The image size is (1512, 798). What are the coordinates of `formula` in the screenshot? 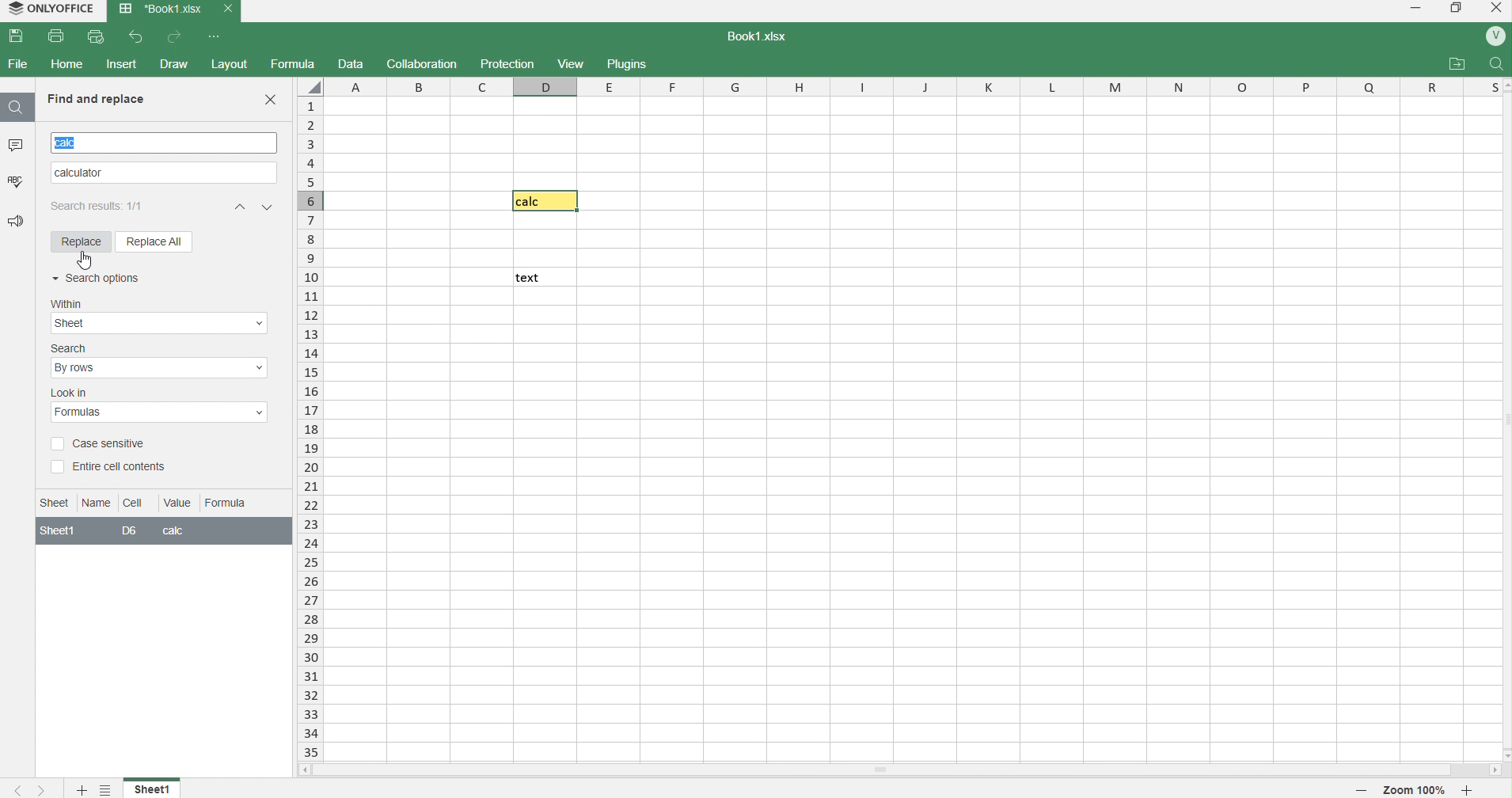 It's located at (295, 65).